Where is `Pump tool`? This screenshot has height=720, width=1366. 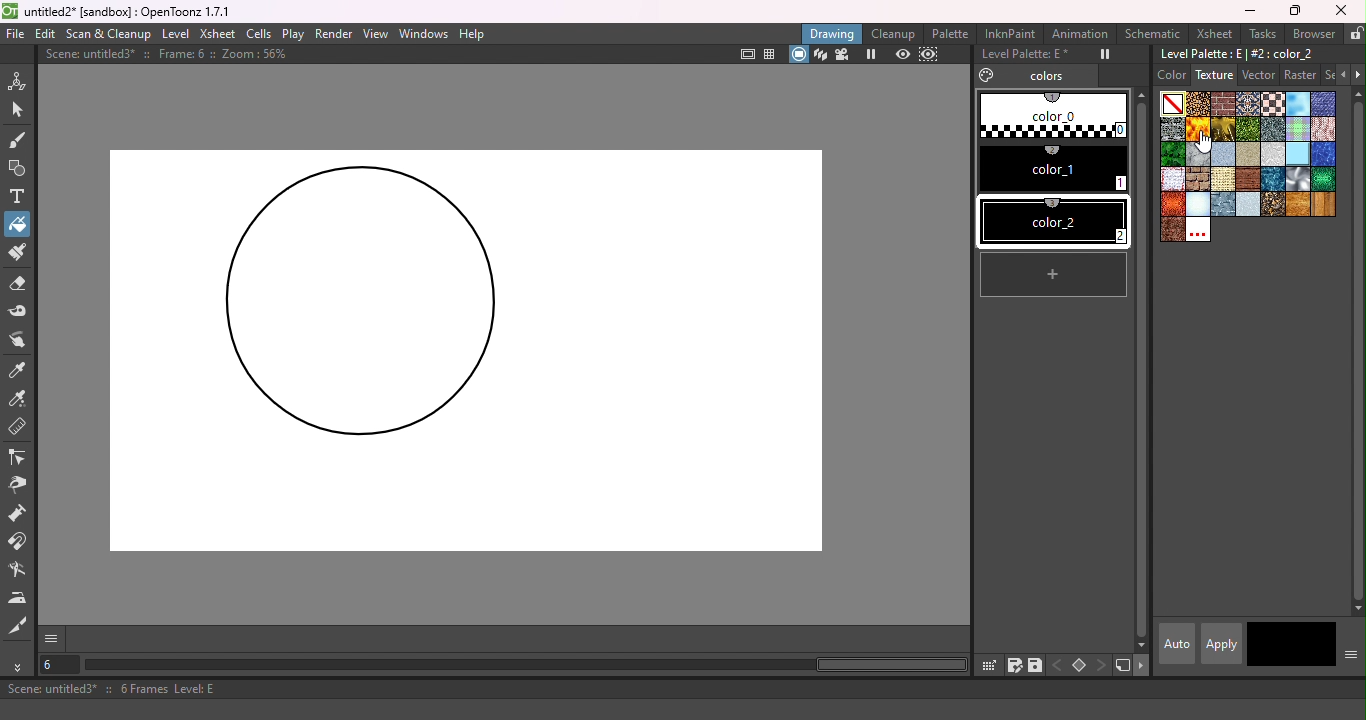
Pump tool is located at coordinates (21, 513).